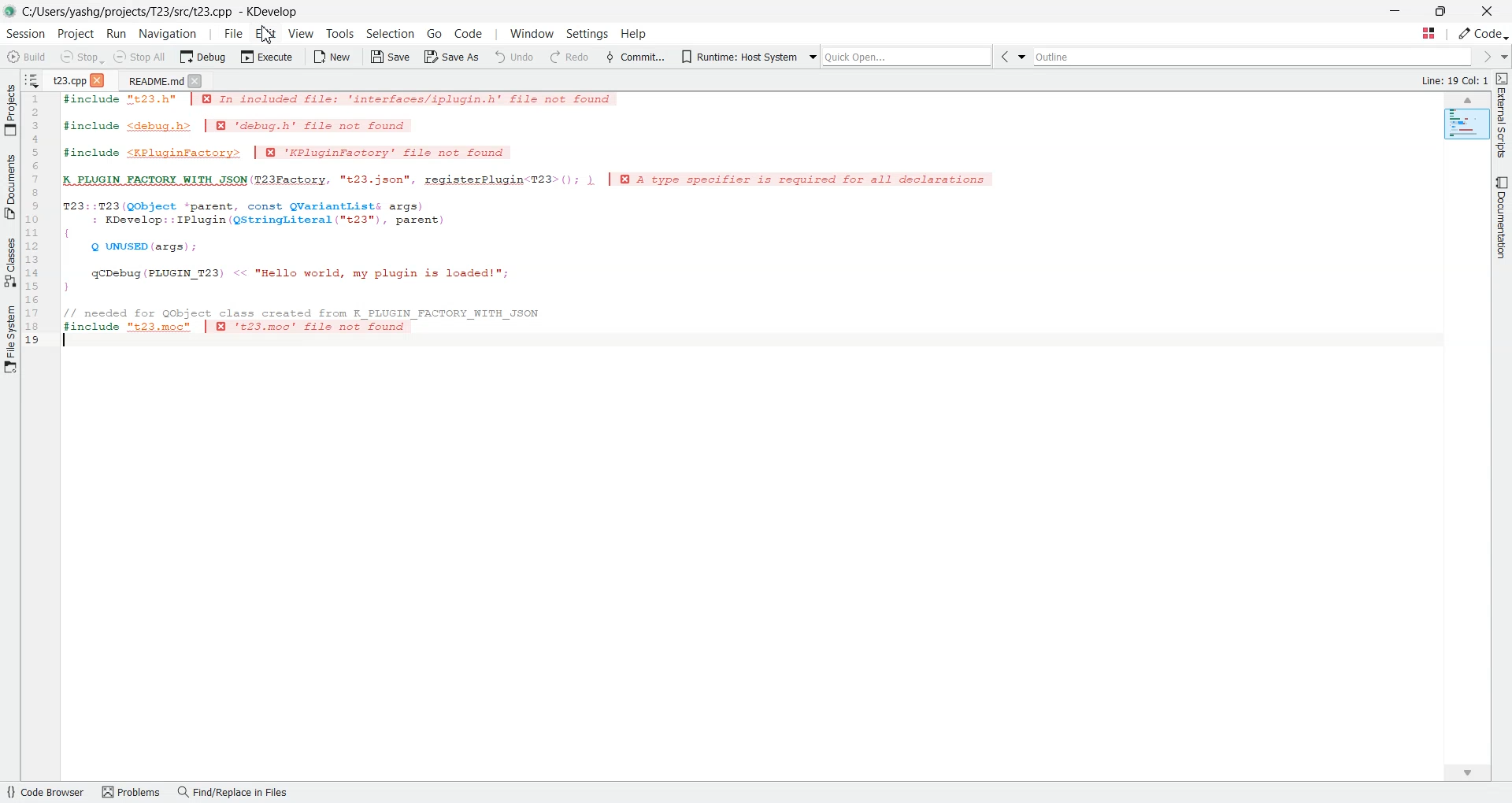 Image resolution: width=1512 pixels, height=803 pixels. I want to click on Documents, so click(10, 187).